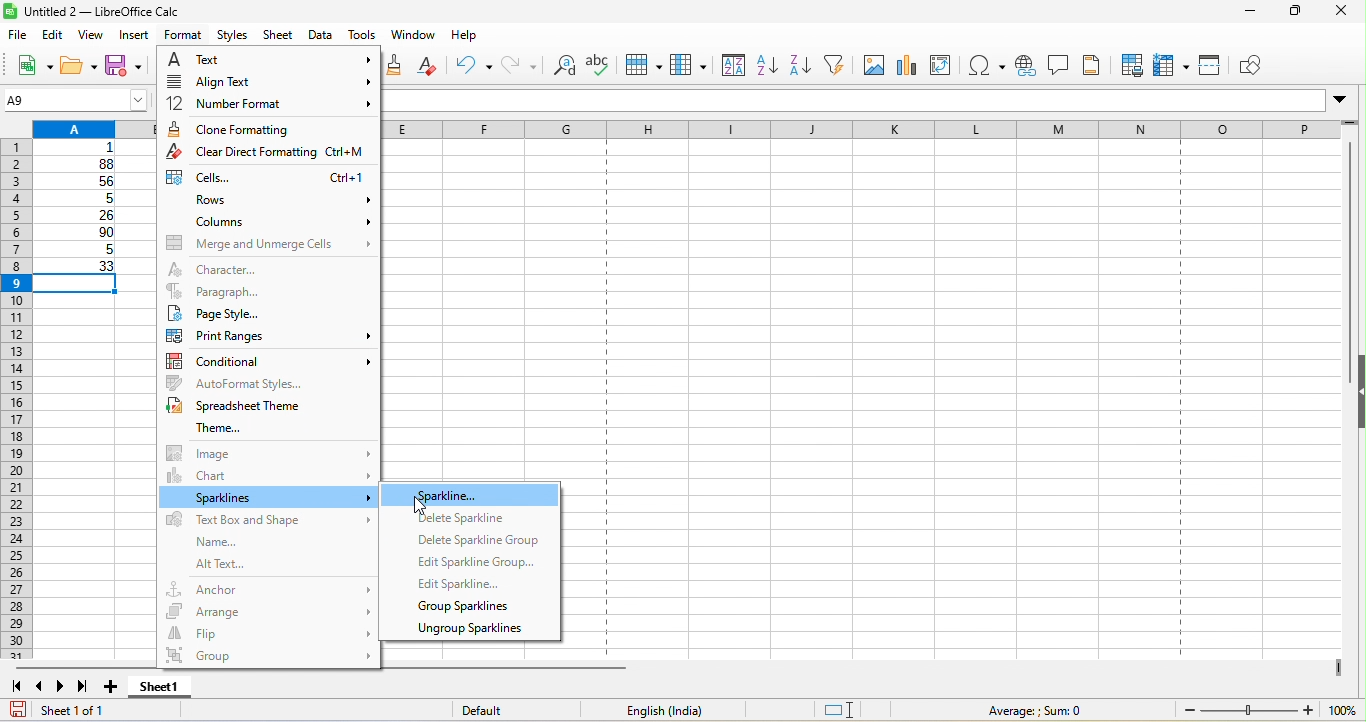 This screenshot has width=1366, height=722. What do you see at coordinates (75, 99) in the screenshot?
I see `A9 (name box)` at bounding box center [75, 99].